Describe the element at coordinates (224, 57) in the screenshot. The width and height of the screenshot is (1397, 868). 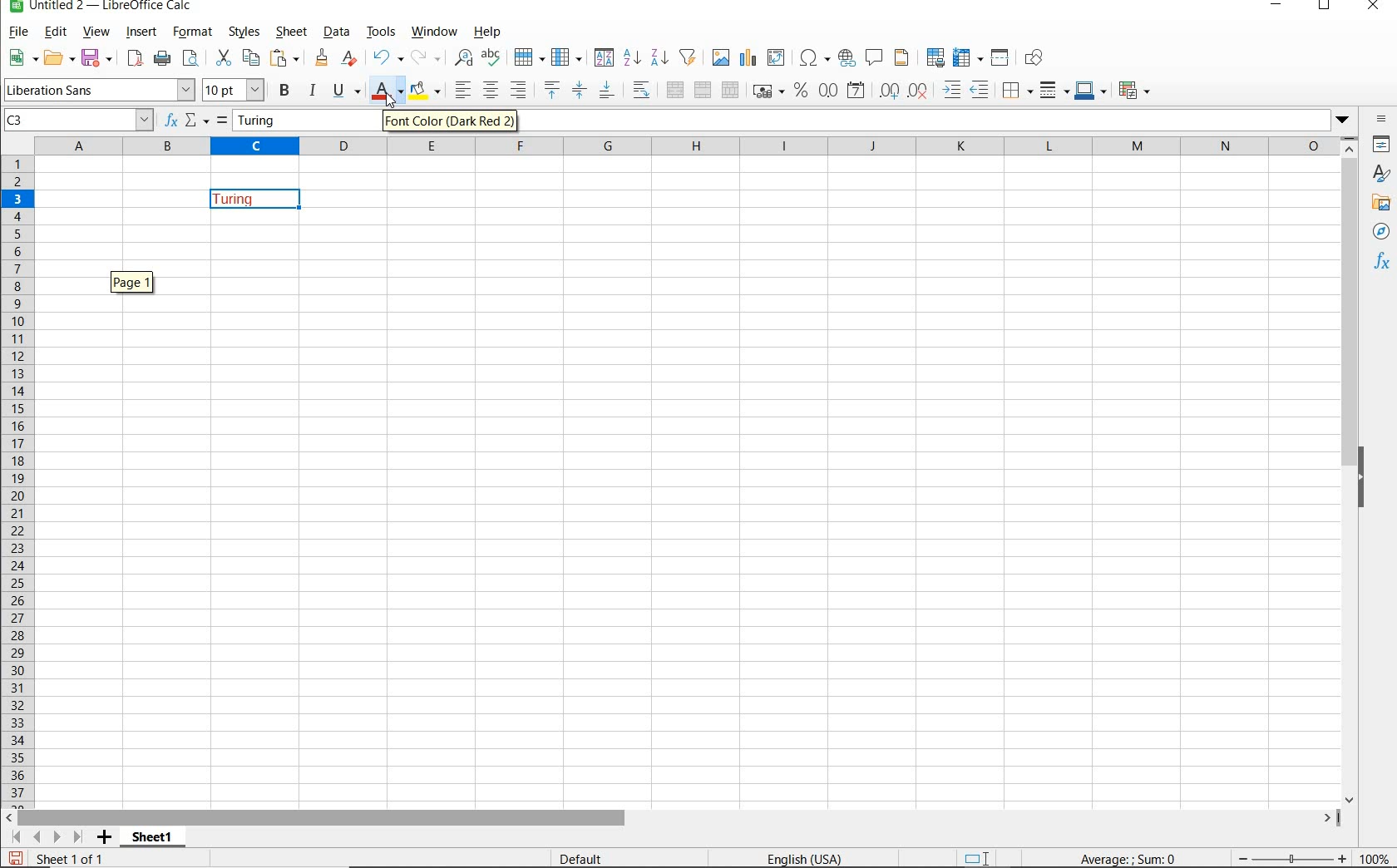
I see `CUT` at that location.